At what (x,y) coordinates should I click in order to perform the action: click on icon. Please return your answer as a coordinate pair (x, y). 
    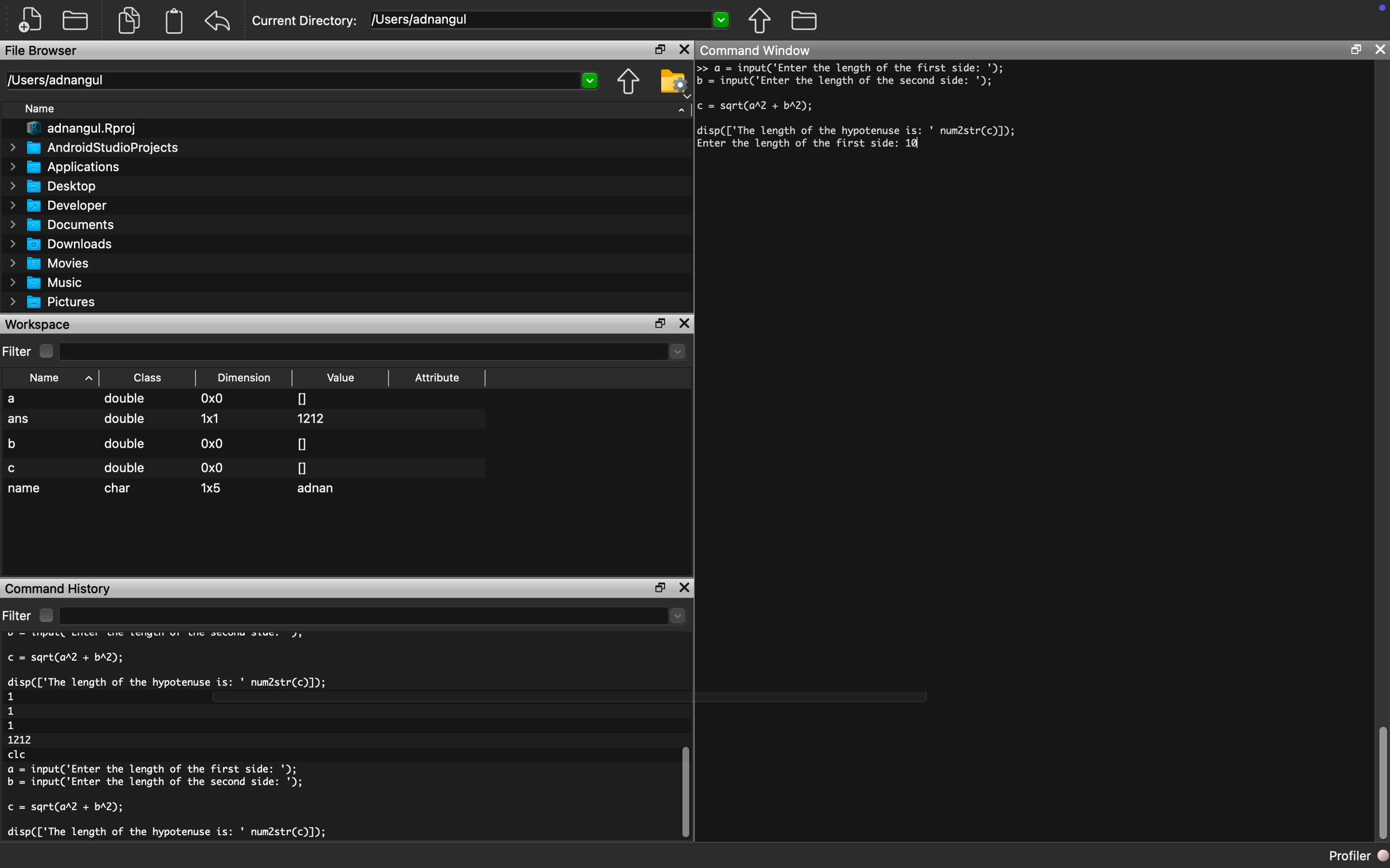
    Looking at the image, I should click on (1379, 10).